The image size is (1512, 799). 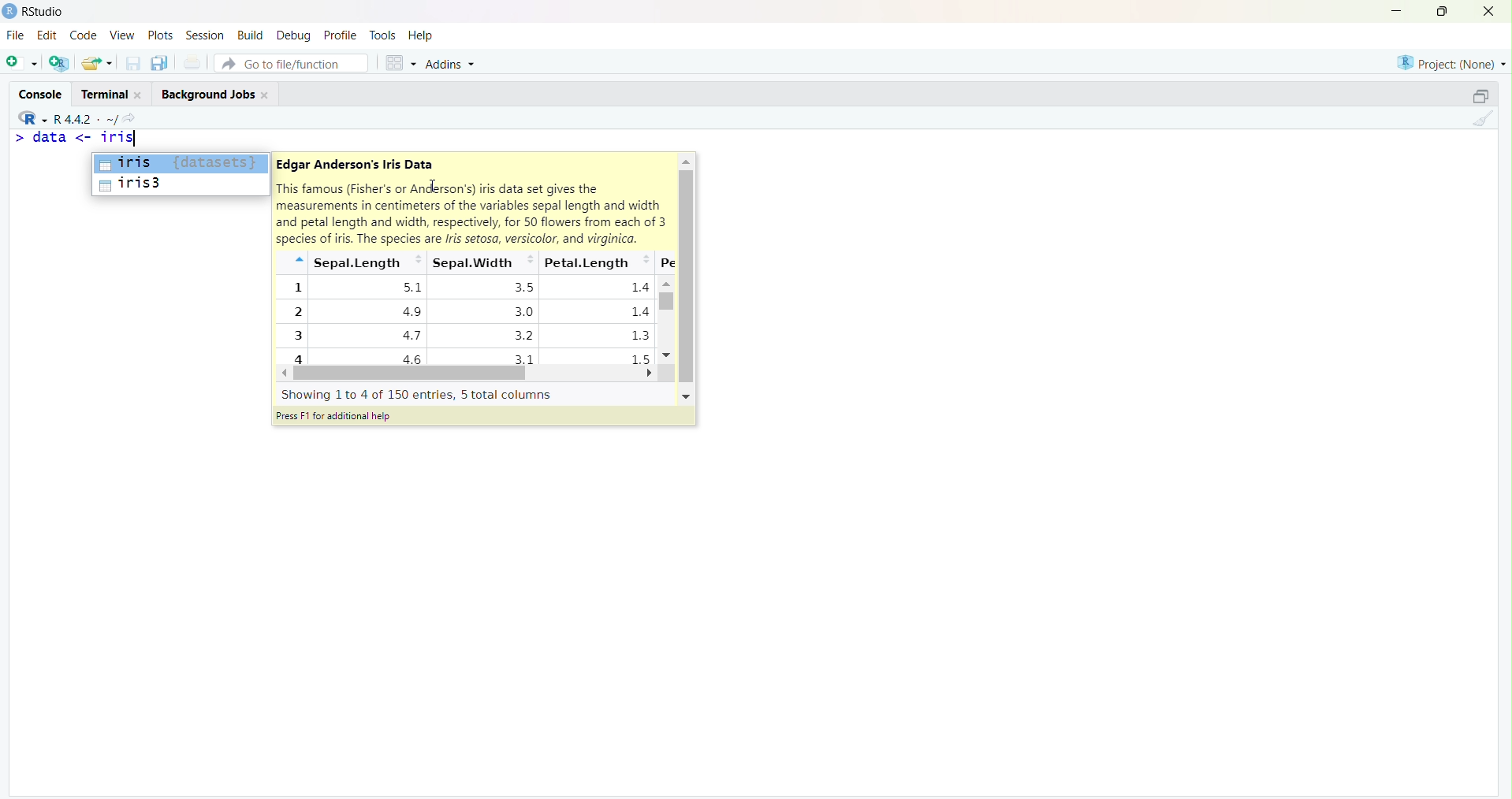 I want to click on RStudio, so click(x=37, y=11).